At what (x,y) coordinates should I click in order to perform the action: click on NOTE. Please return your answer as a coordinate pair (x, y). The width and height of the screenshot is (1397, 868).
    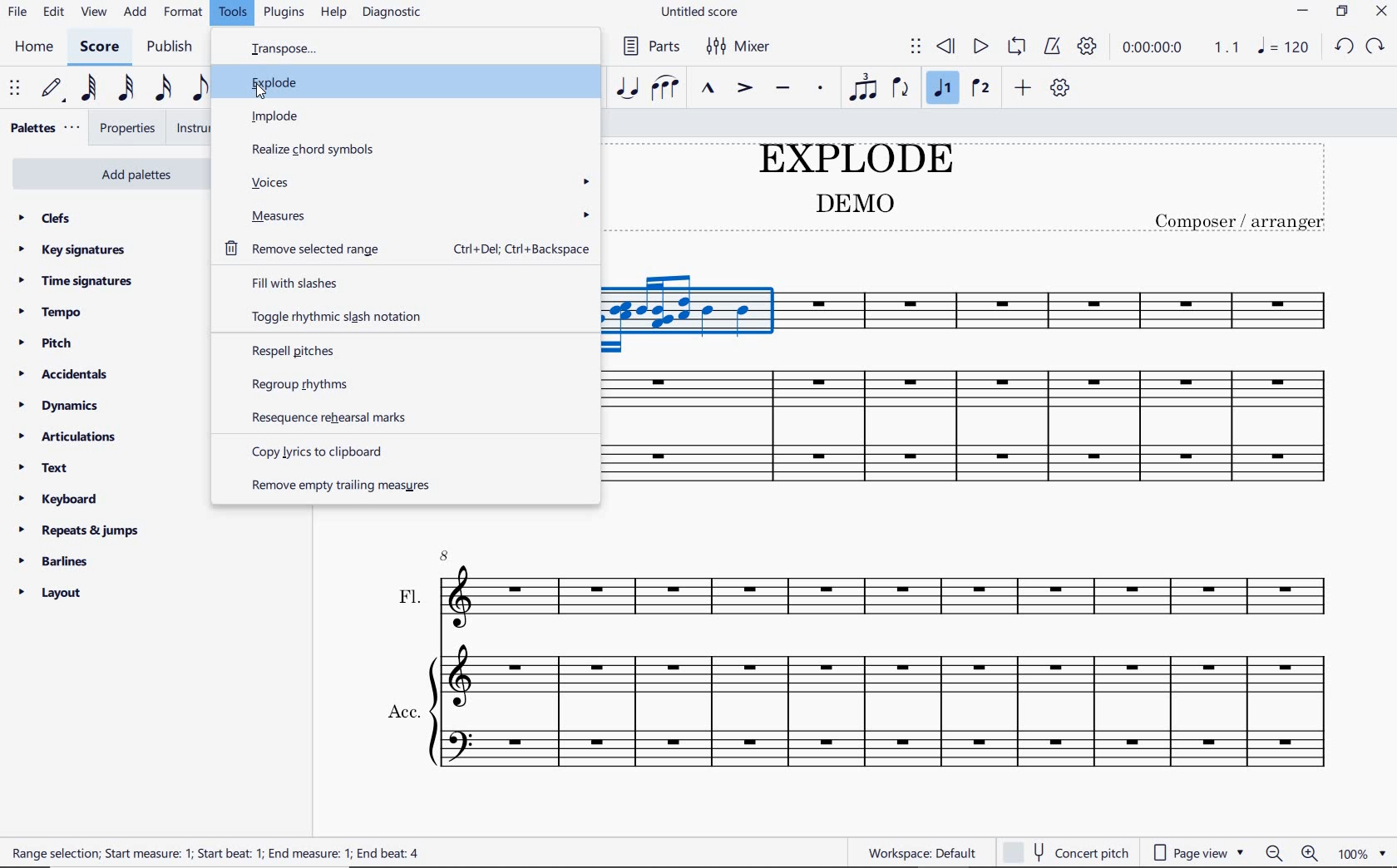
    Looking at the image, I should click on (1283, 47).